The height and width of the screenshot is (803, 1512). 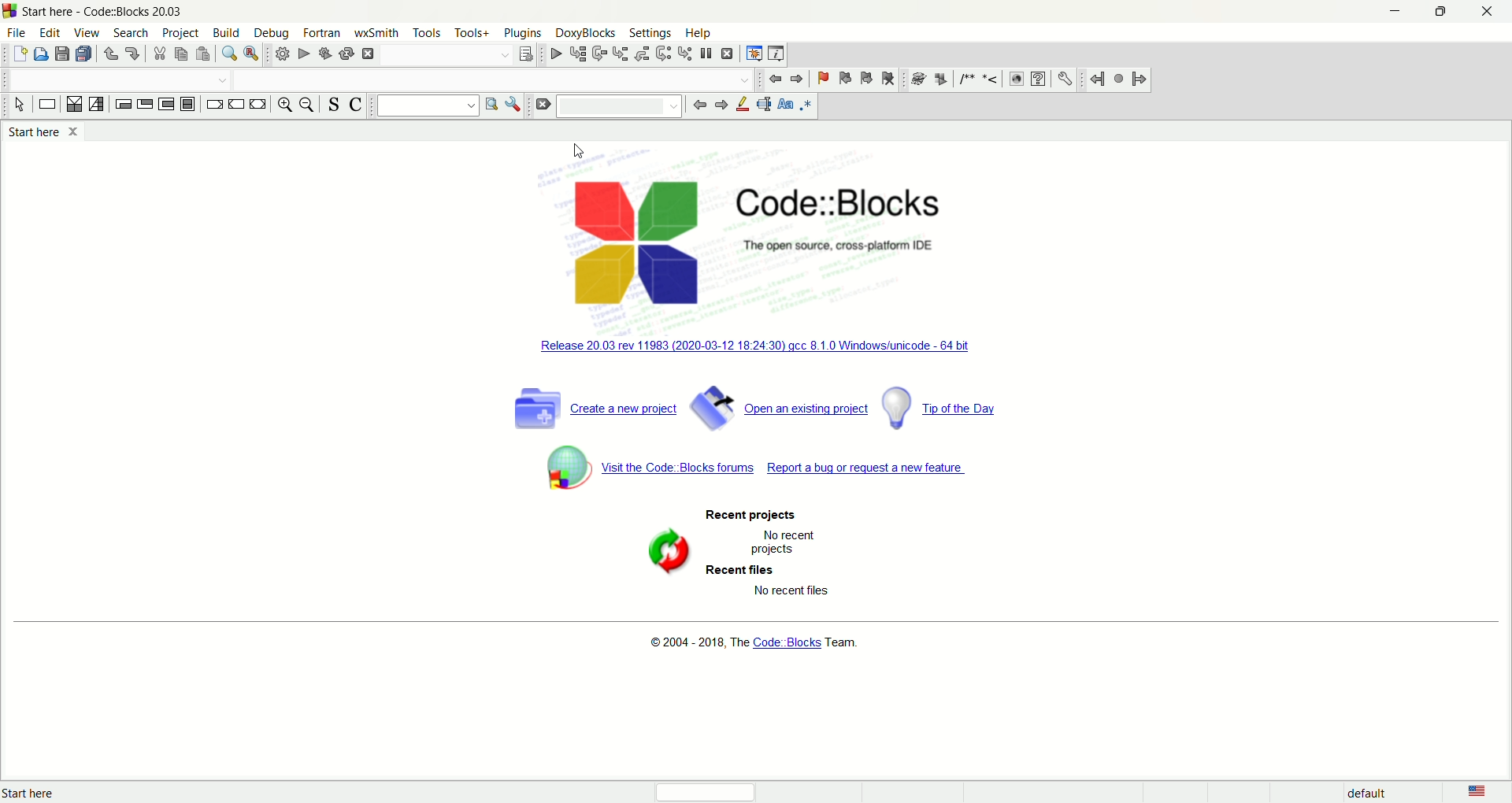 What do you see at coordinates (146, 104) in the screenshot?
I see `exit condition loop` at bounding box center [146, 104].